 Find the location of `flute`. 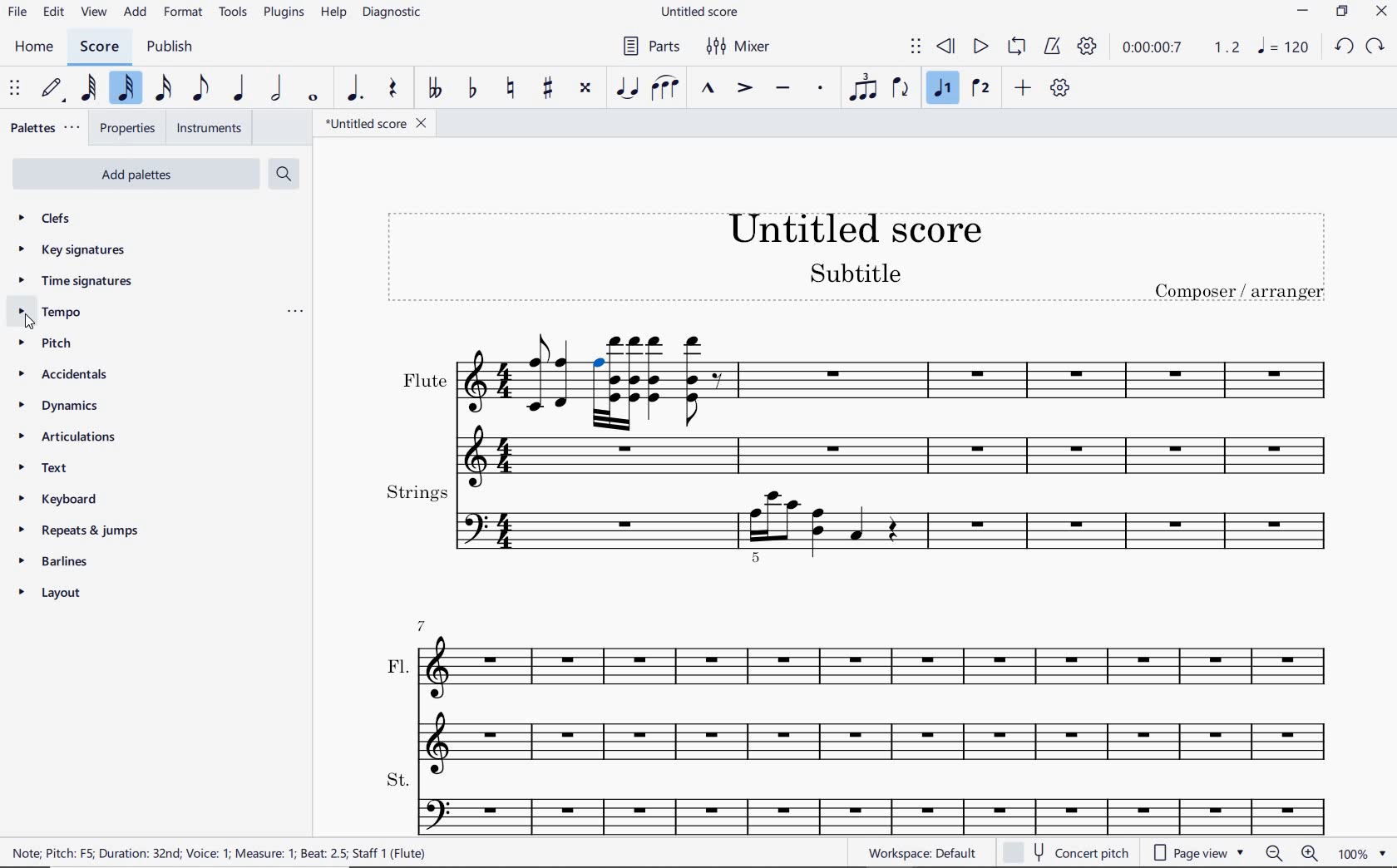

flute is located at coordinates (599, 426).